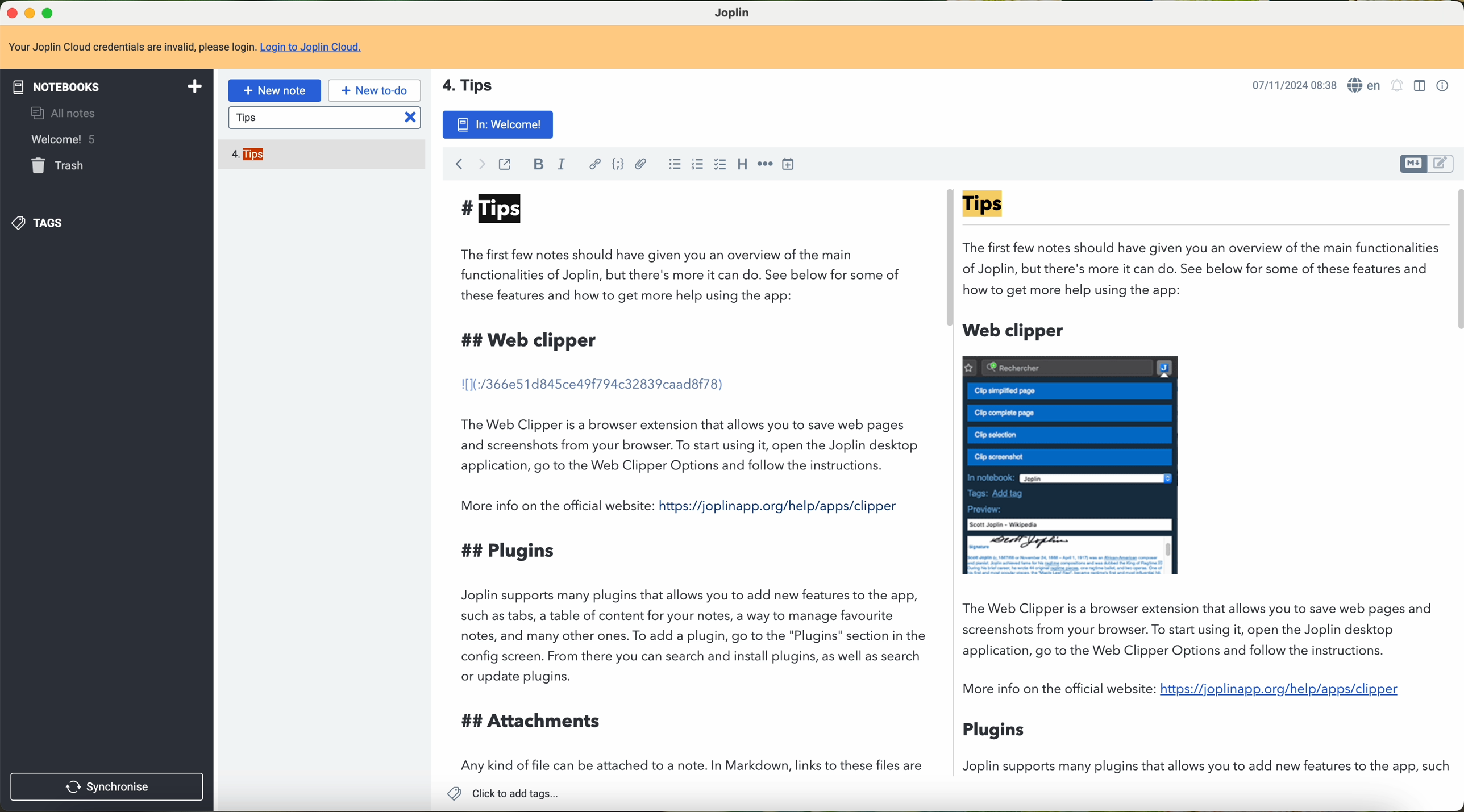  I want to click on new to-do, so click(374, 91).